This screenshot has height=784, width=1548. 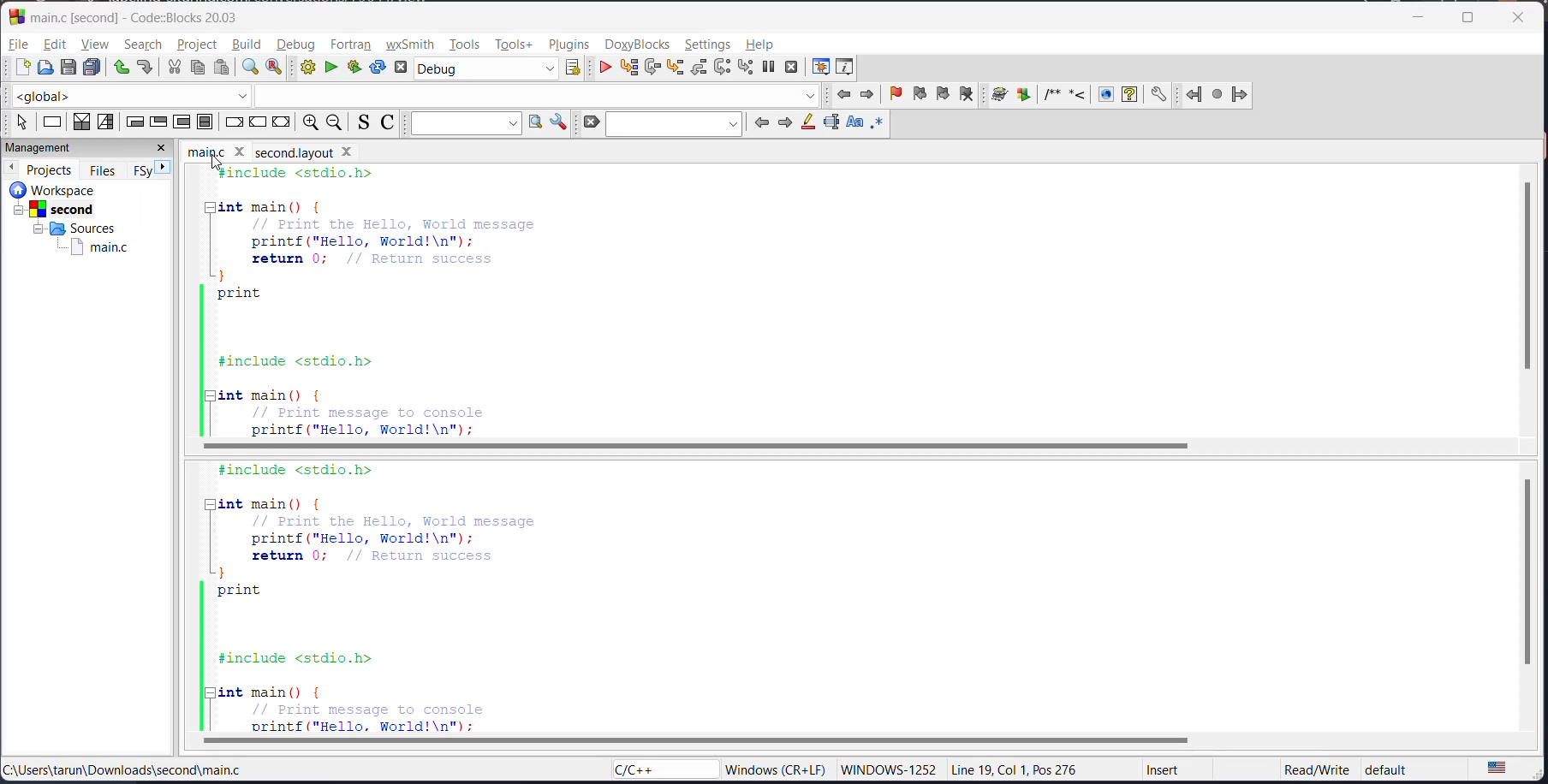 I want to click on ‘Windows (CR+LF) WINDOWS-1252, so click(x=829, y=769).